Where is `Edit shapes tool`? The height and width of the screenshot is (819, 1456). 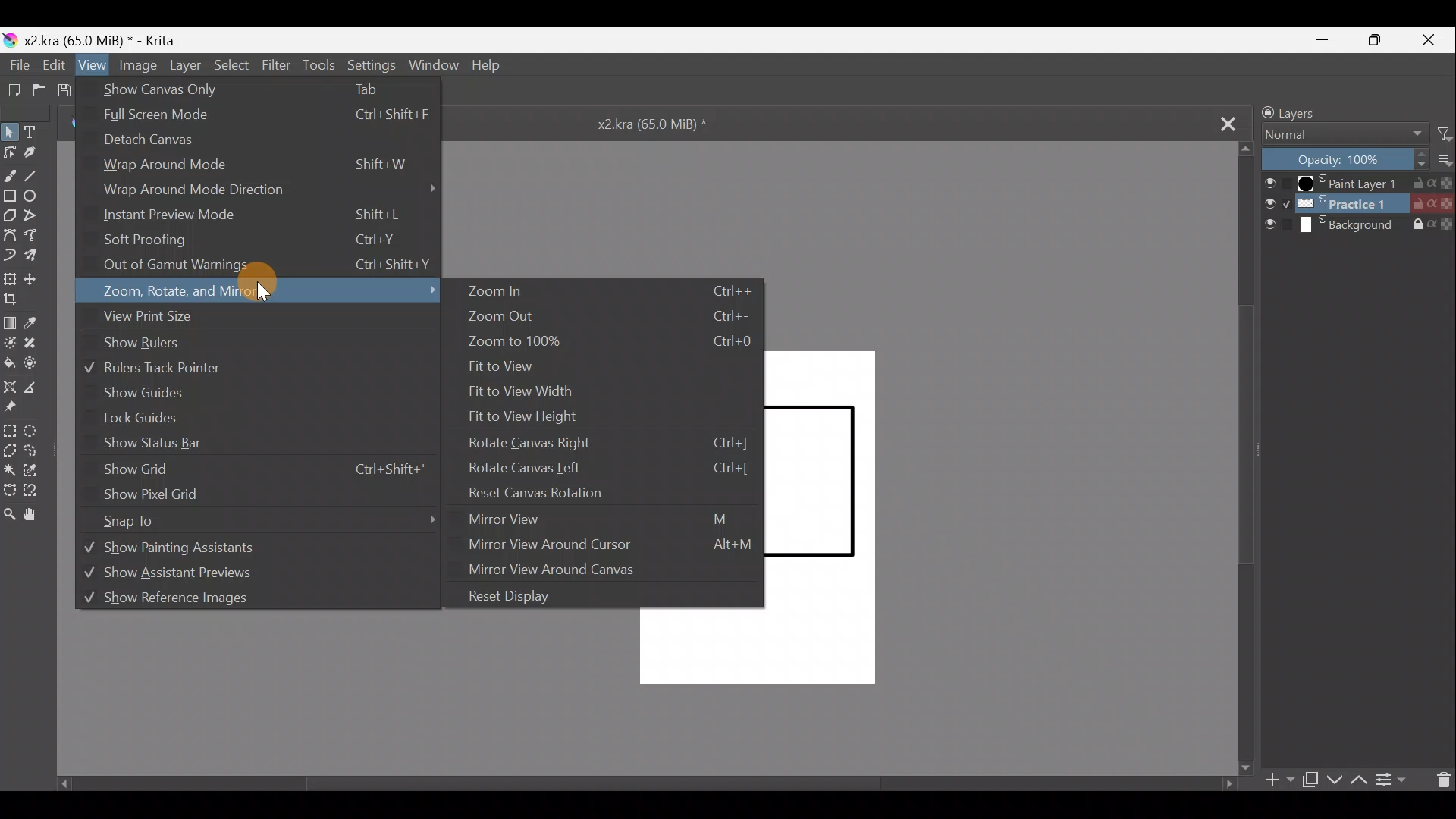 Edit shapes tool is located at coordinates (11, 152).